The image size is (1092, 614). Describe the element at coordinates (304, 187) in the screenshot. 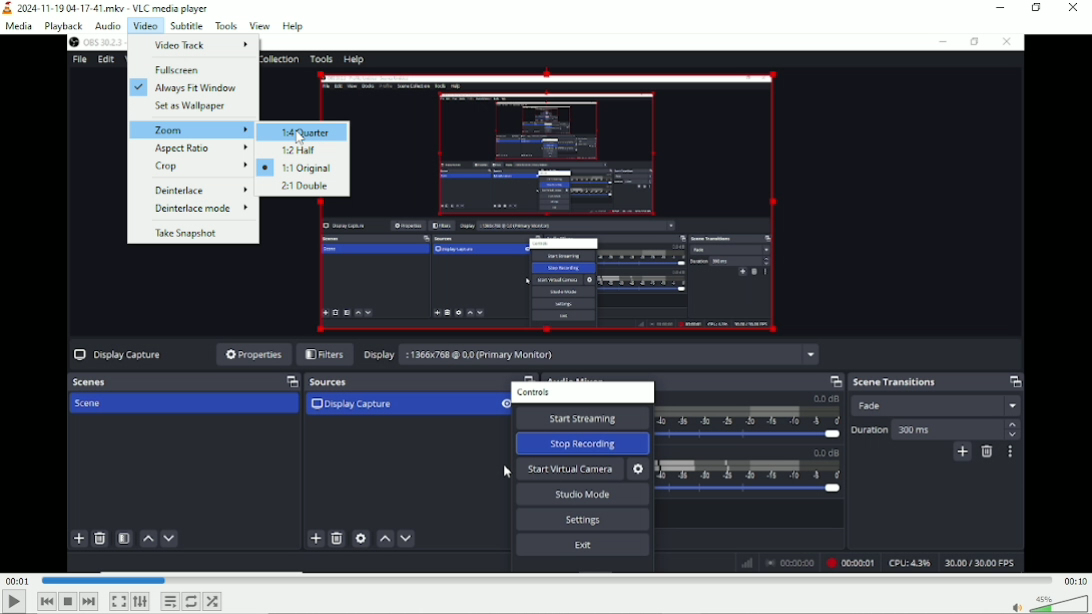

I see `double` at that location.